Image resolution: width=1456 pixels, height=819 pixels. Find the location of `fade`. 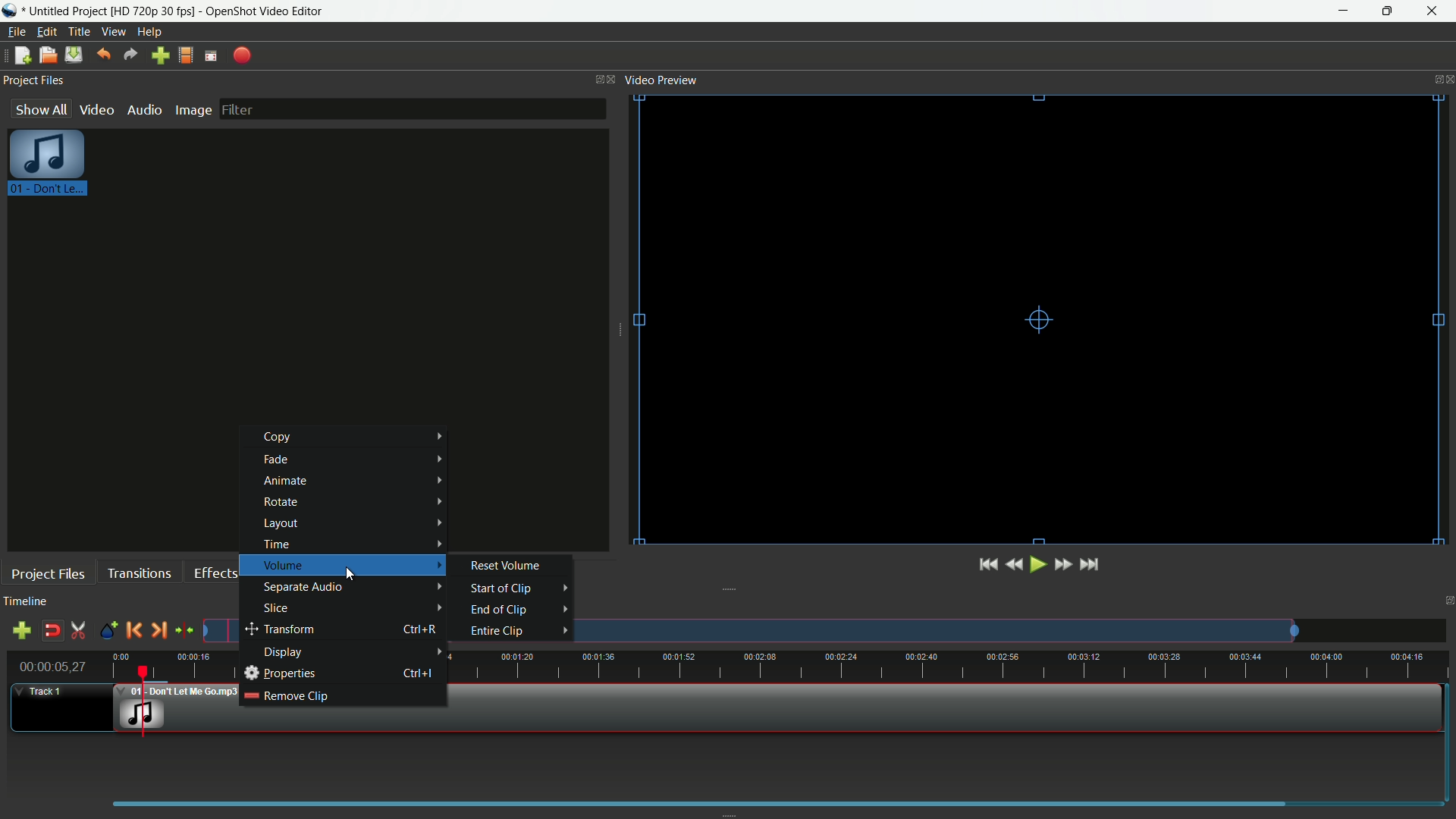

fade is located at coordinates (359, 460).